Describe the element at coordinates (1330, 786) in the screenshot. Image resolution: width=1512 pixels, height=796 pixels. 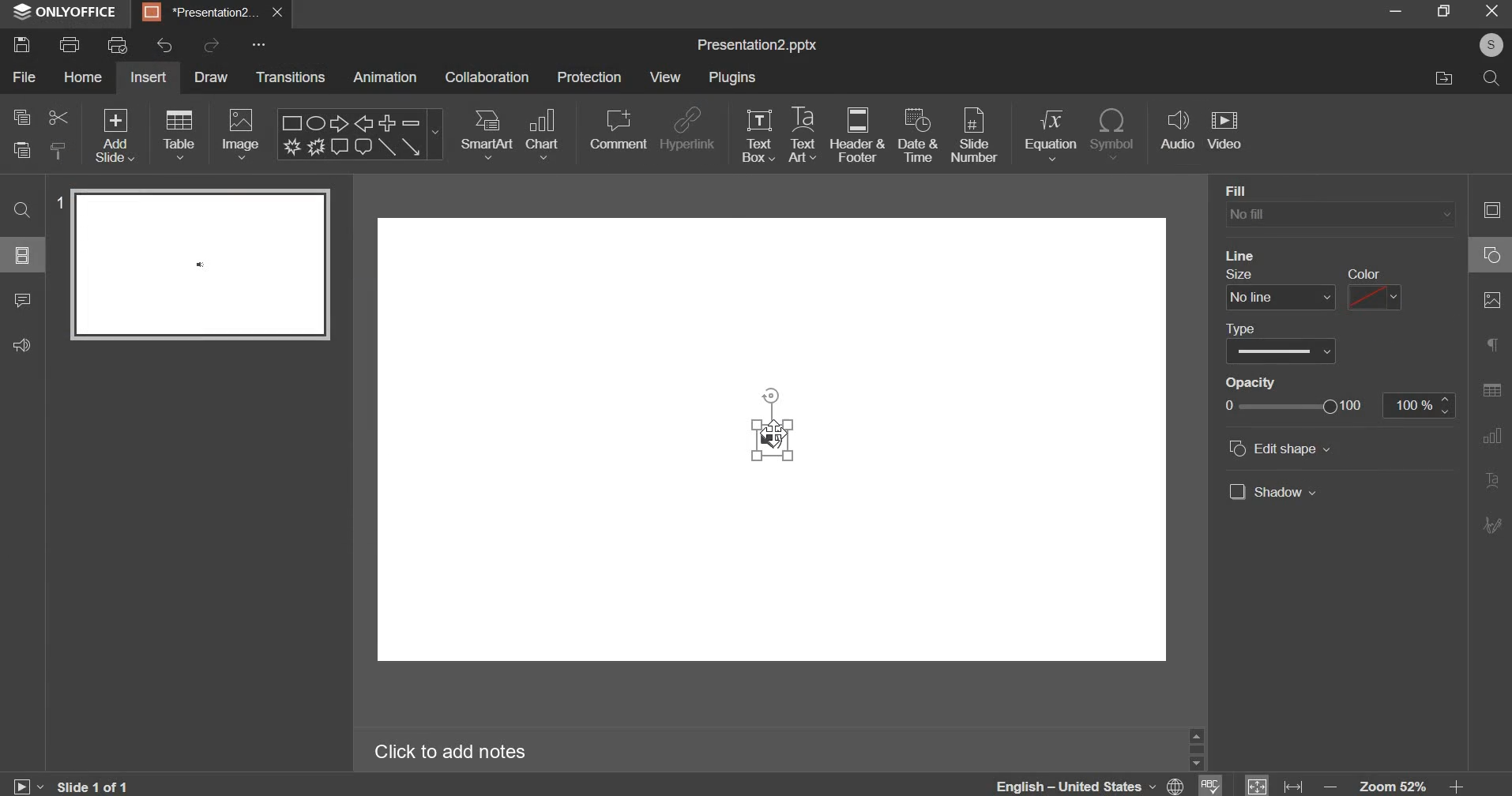
I see `decrease zoom` at that location.